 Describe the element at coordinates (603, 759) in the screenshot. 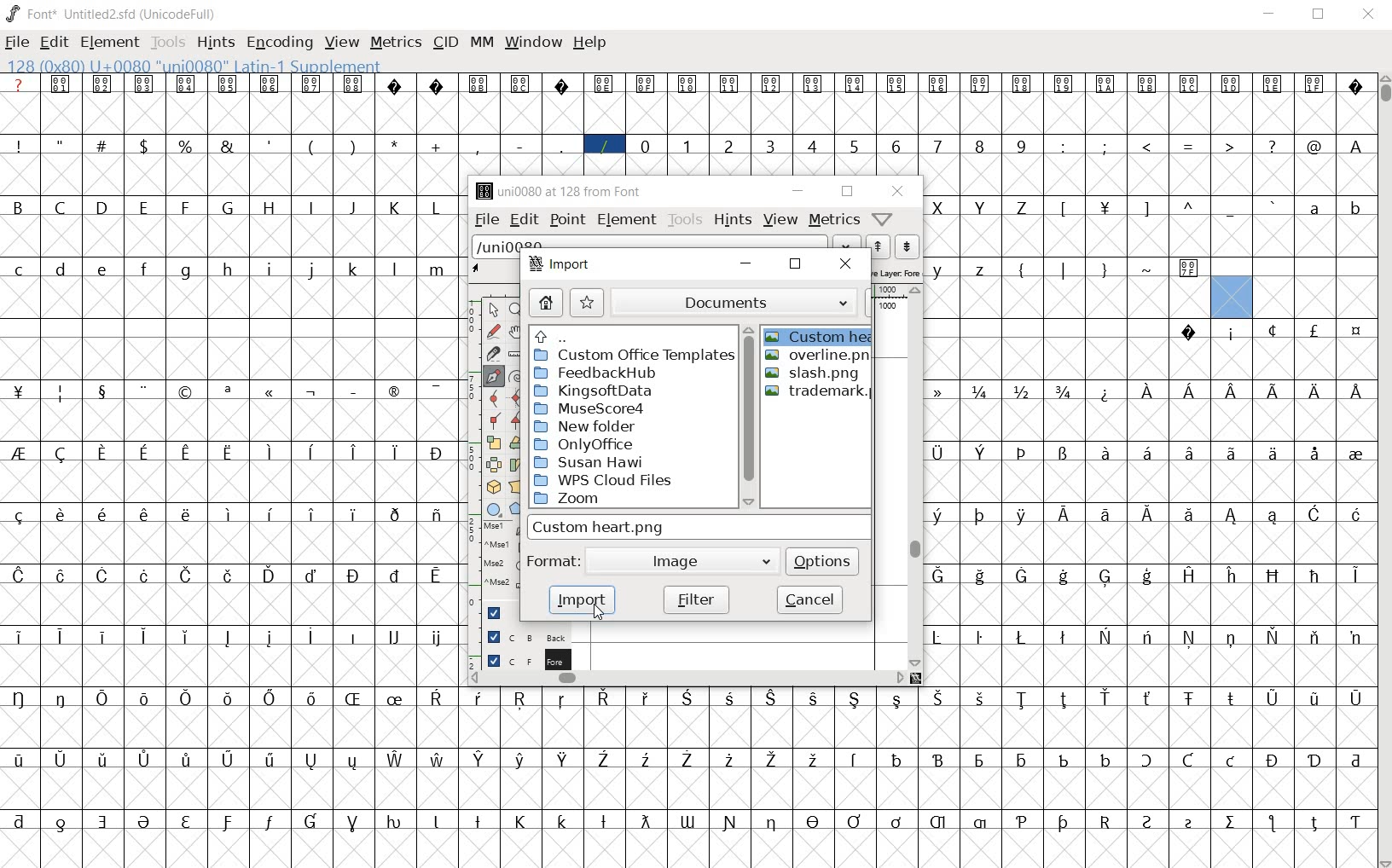

I see `glyph` at that location.